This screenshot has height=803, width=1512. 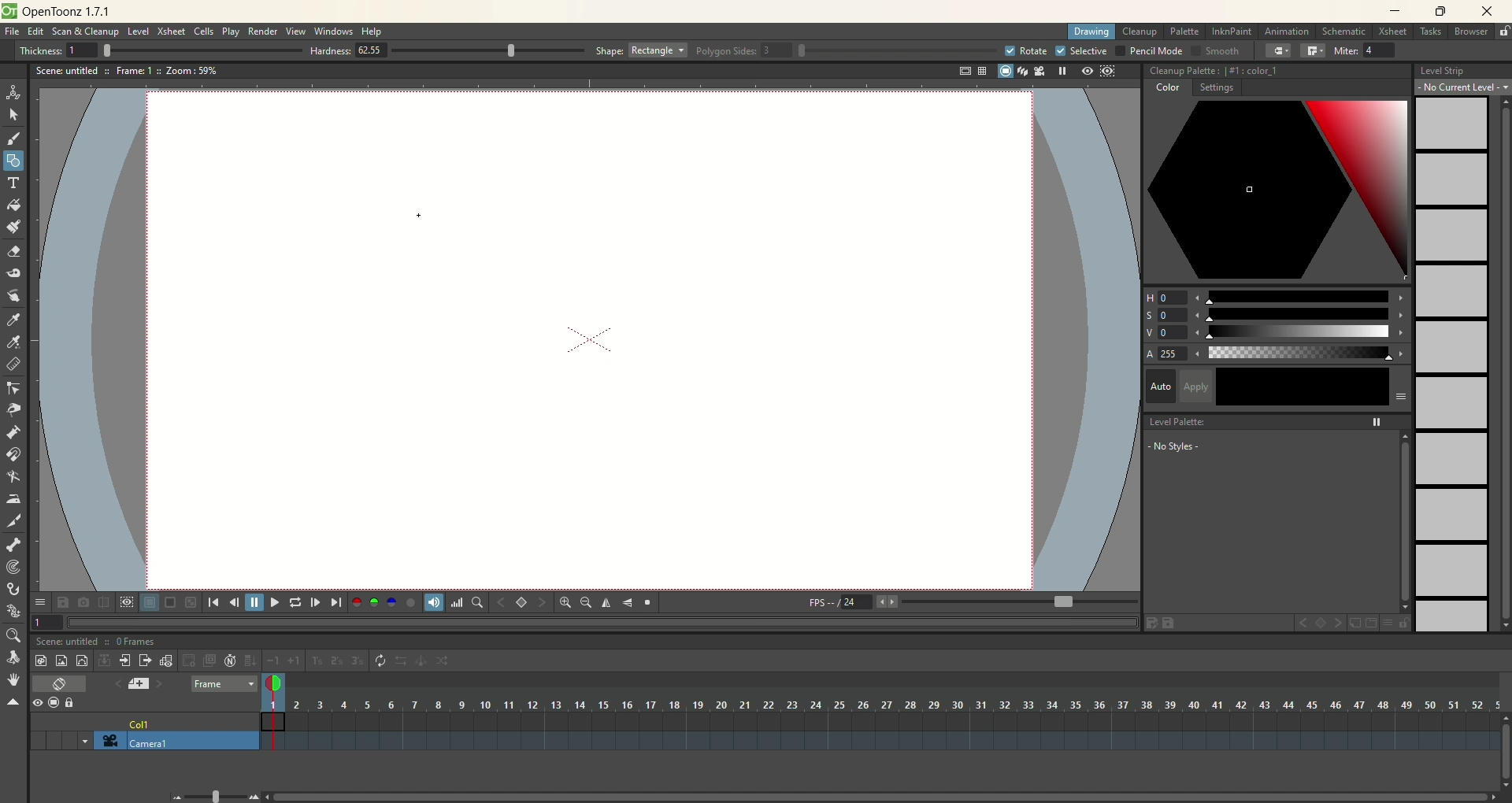 I want to click on create blank drawing, so click(x=191, y=661).